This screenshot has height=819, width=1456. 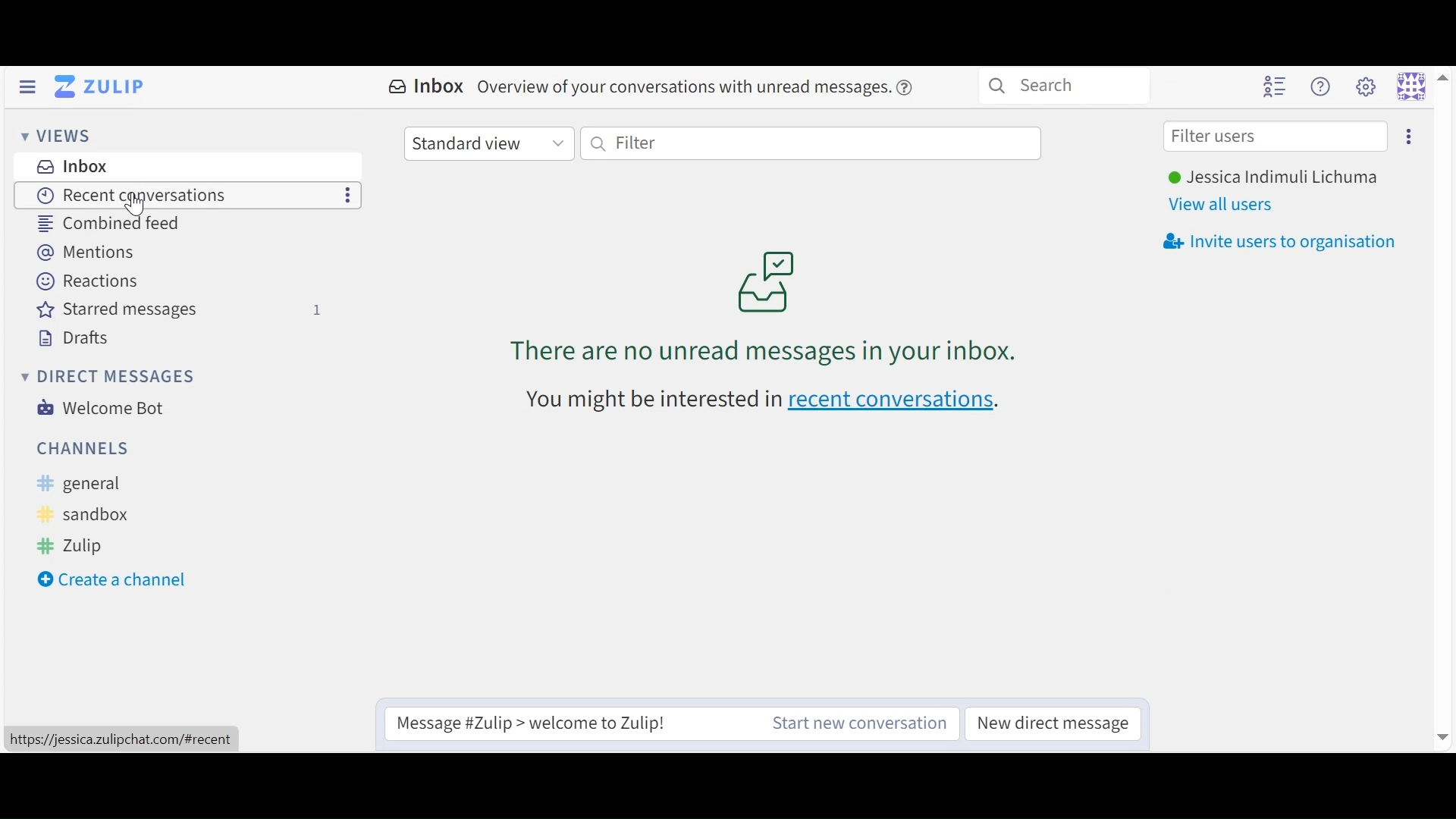 I want to click on User Name, so click(x=1277, y=176).